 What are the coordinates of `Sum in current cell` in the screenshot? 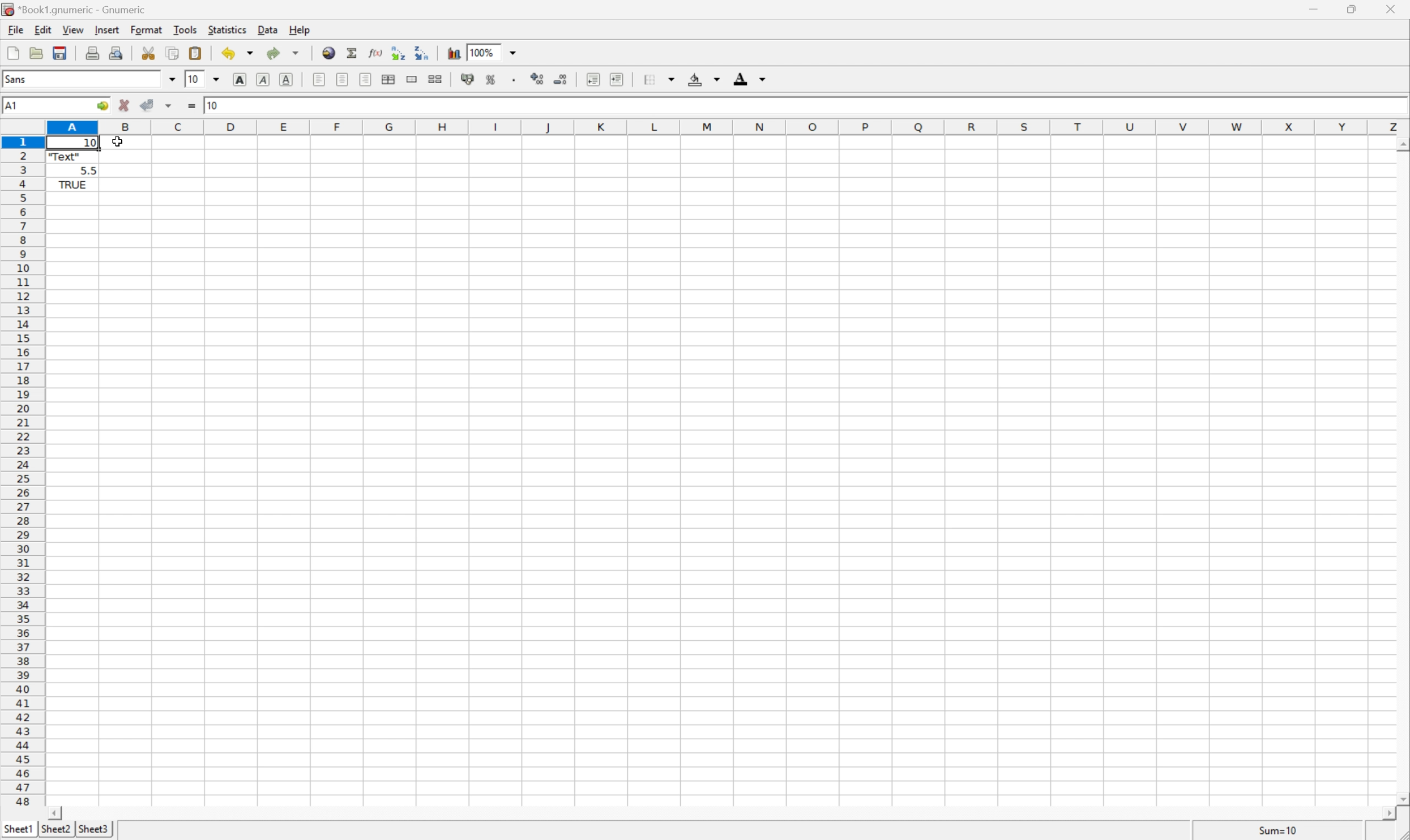 It's located at (353, 53).